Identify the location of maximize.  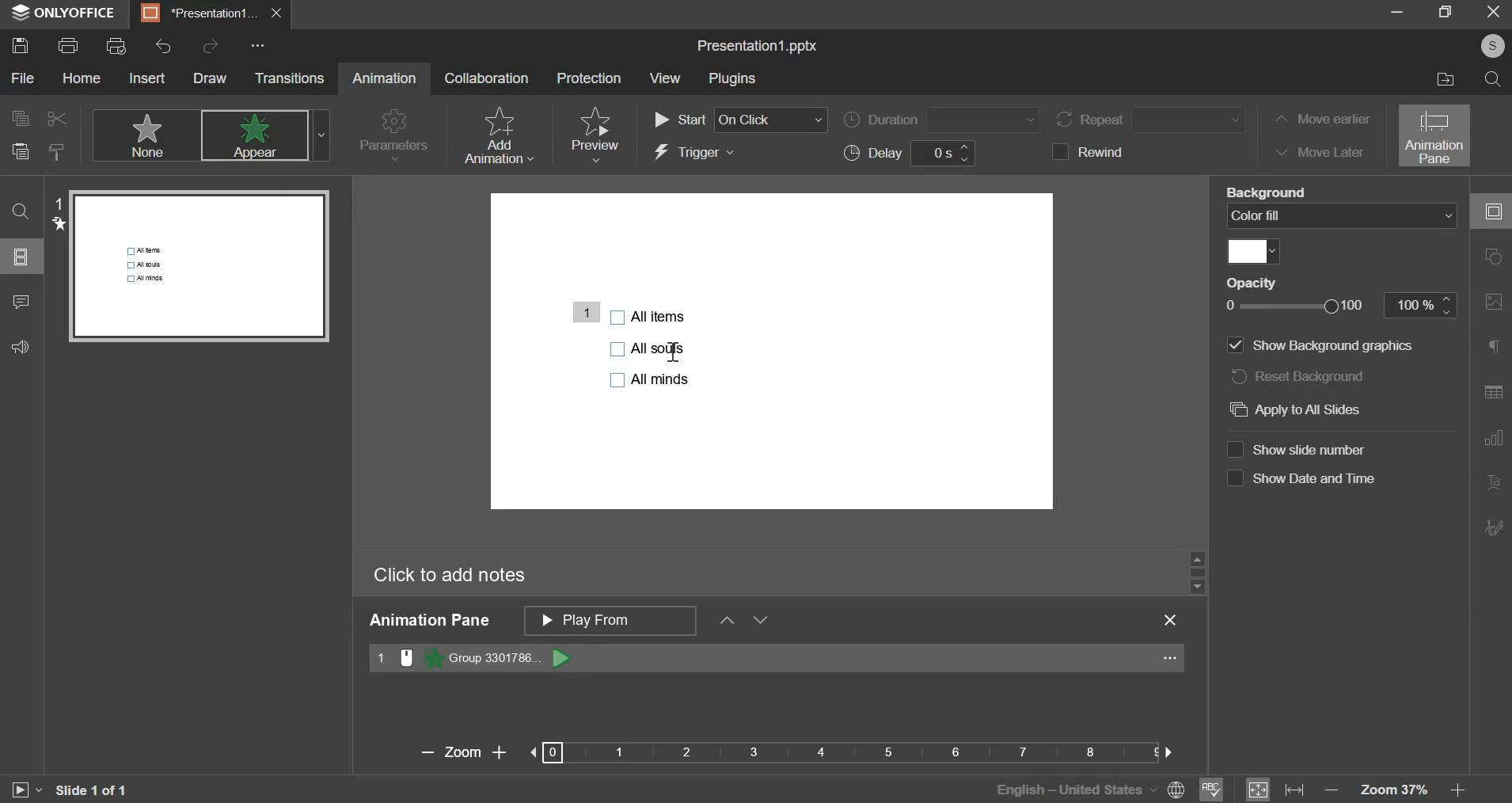
(1445, 13).